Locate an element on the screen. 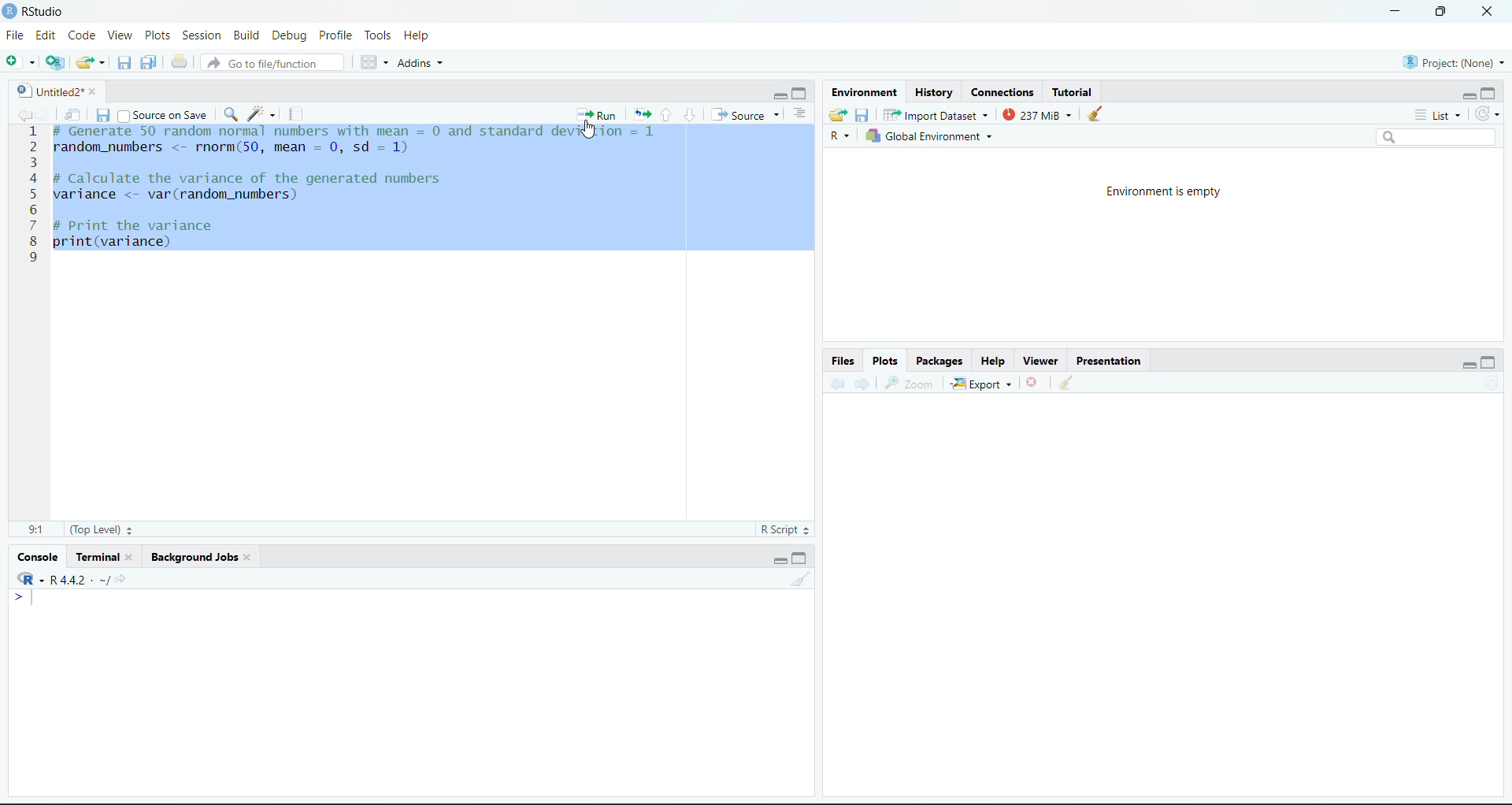  Environment is located at coordinates (864, 93).